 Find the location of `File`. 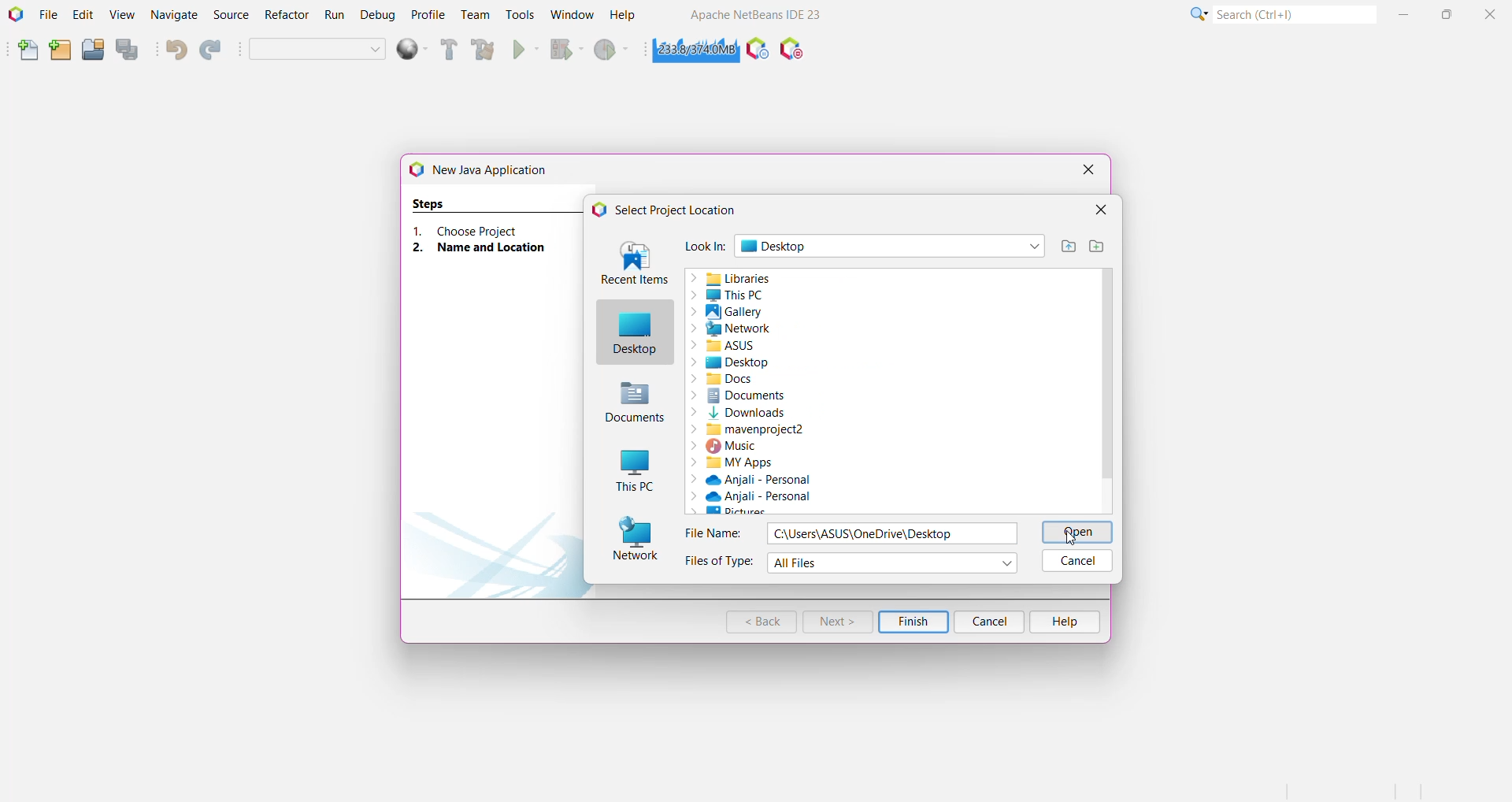

File is located at coordinates (49, 16).